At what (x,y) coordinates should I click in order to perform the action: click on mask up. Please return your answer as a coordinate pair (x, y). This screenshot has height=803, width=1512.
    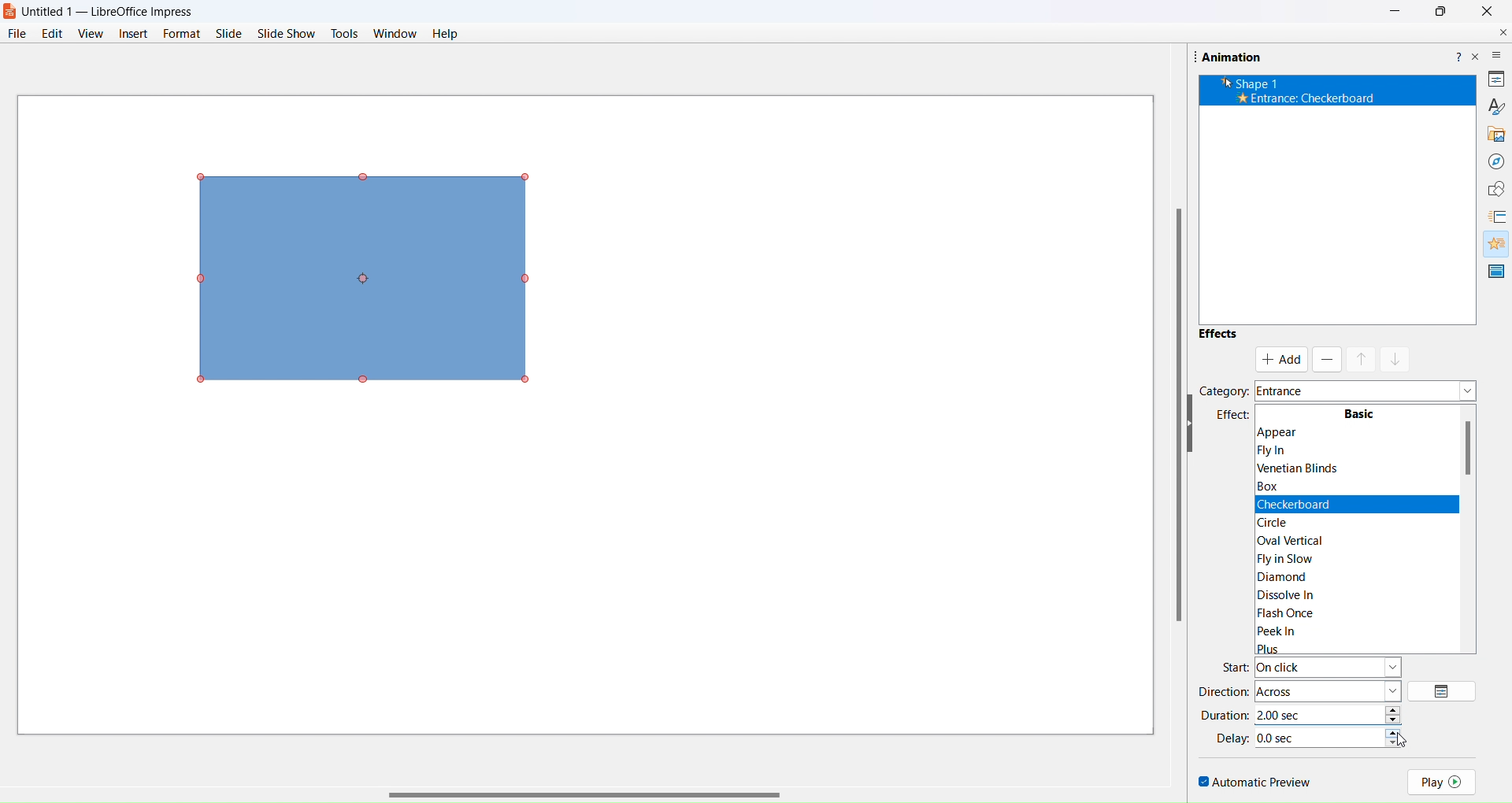
    Looking at the image, I should click on (1360, 358).